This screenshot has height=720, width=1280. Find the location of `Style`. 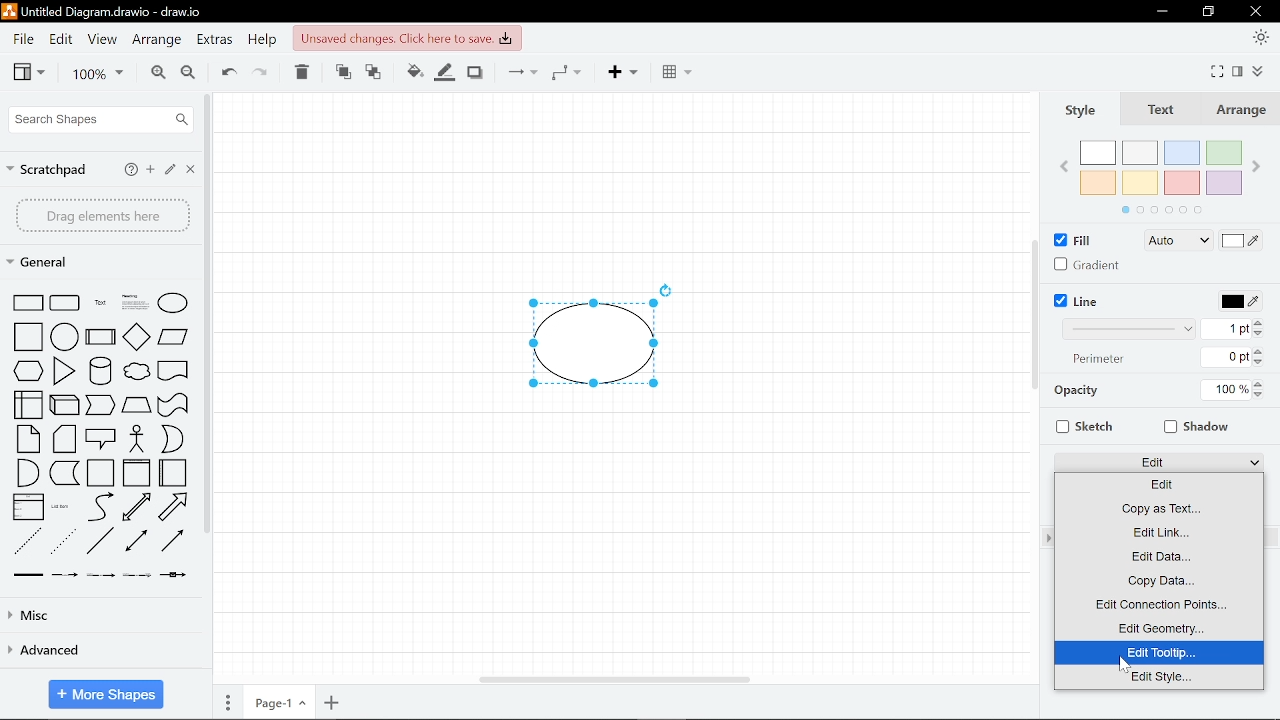

Style is located at coordinates (1080, 110).